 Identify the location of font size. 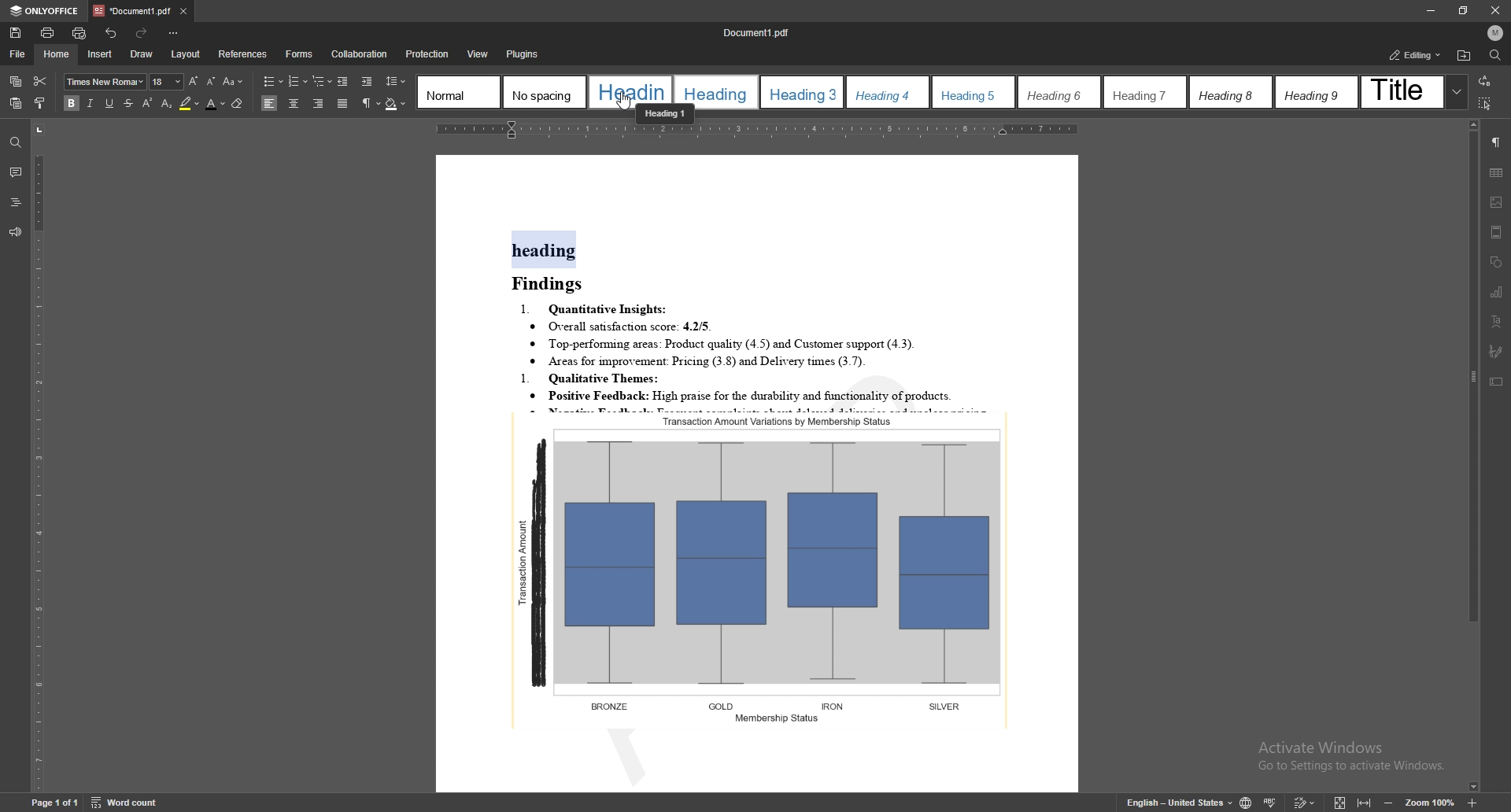
(167, 82).